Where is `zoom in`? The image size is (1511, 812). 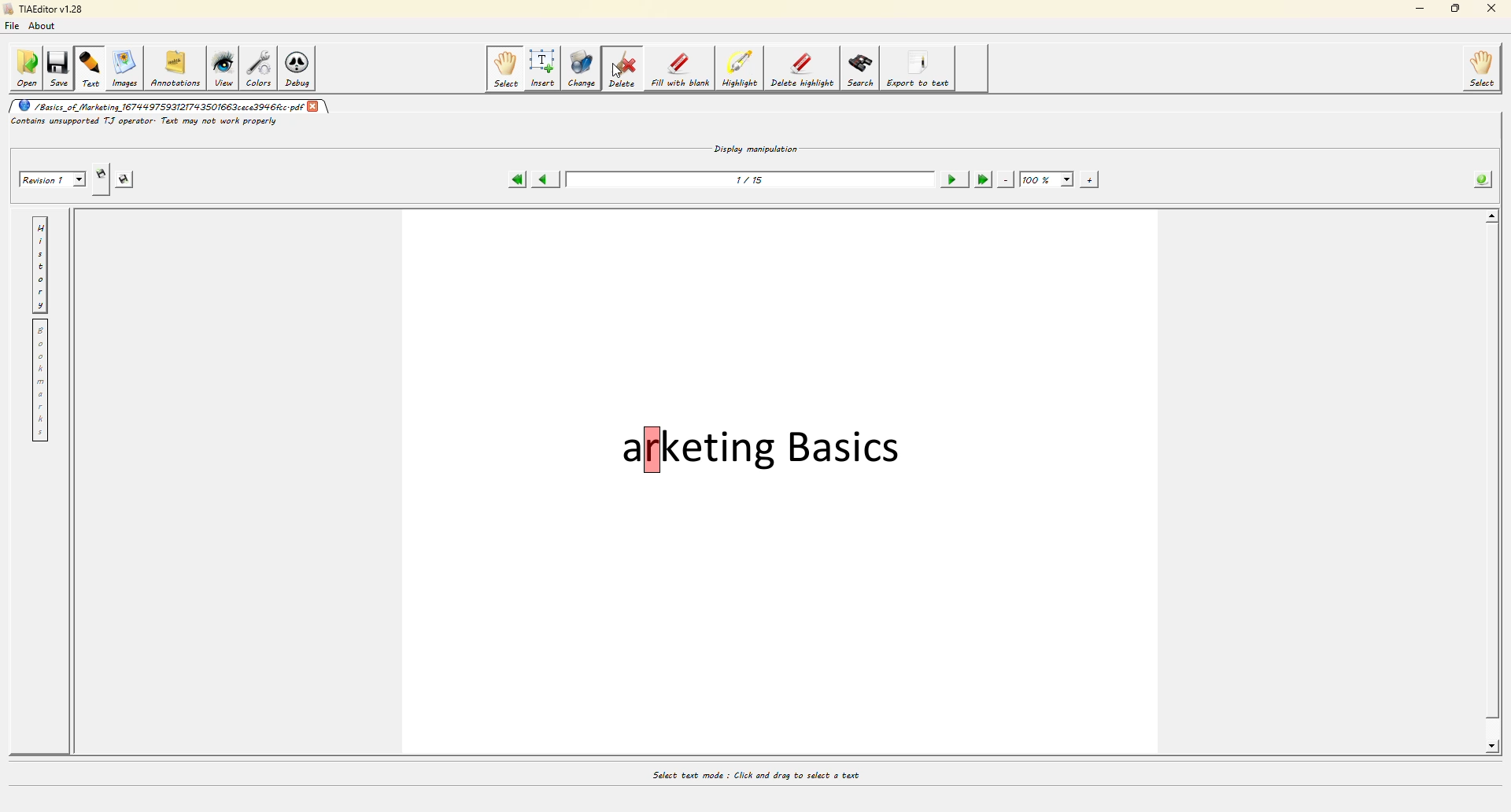 zoom in is located at coordinates (1092, 178).